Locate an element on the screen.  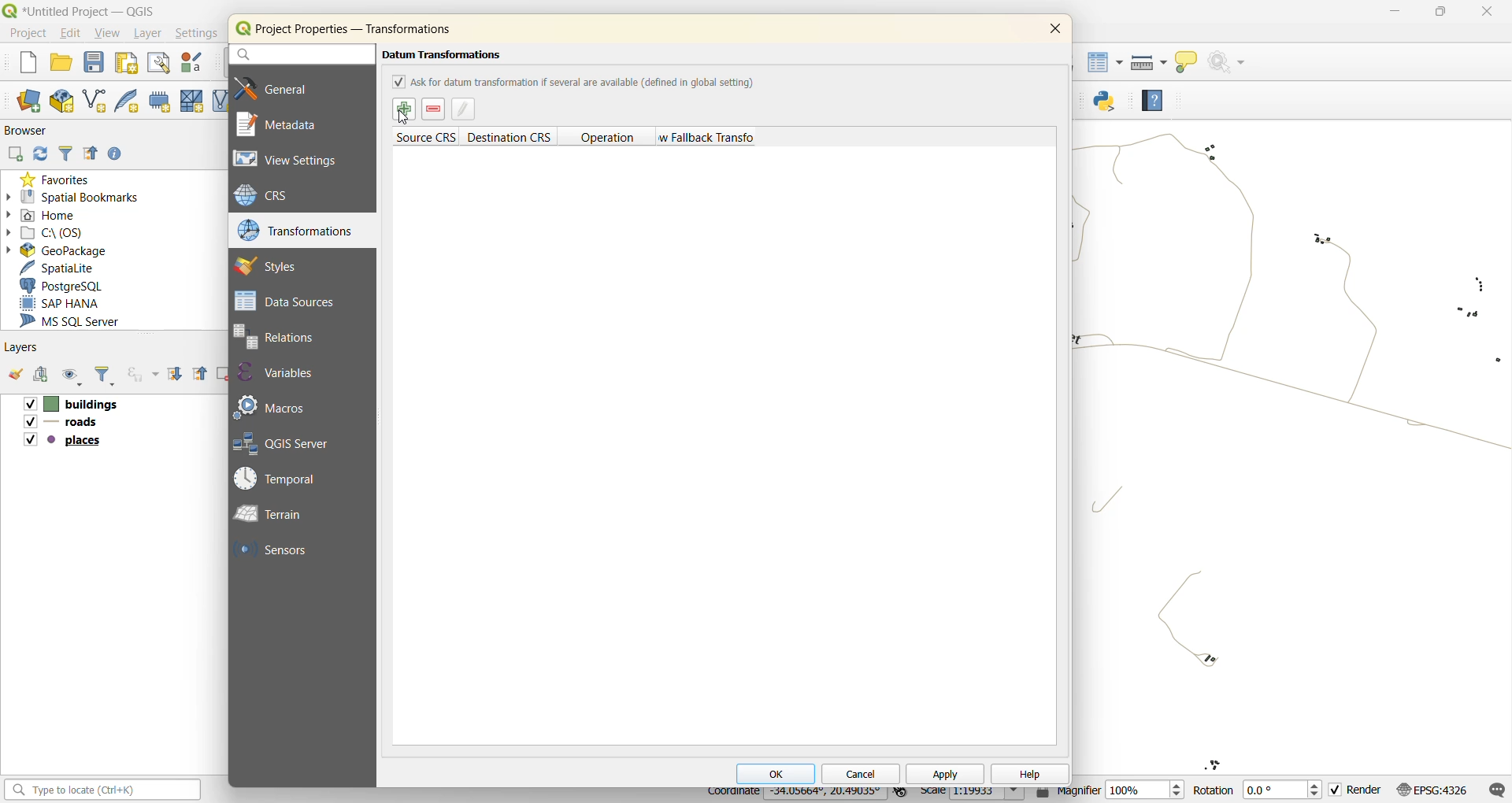
styles is located at coordinates (277, 265).